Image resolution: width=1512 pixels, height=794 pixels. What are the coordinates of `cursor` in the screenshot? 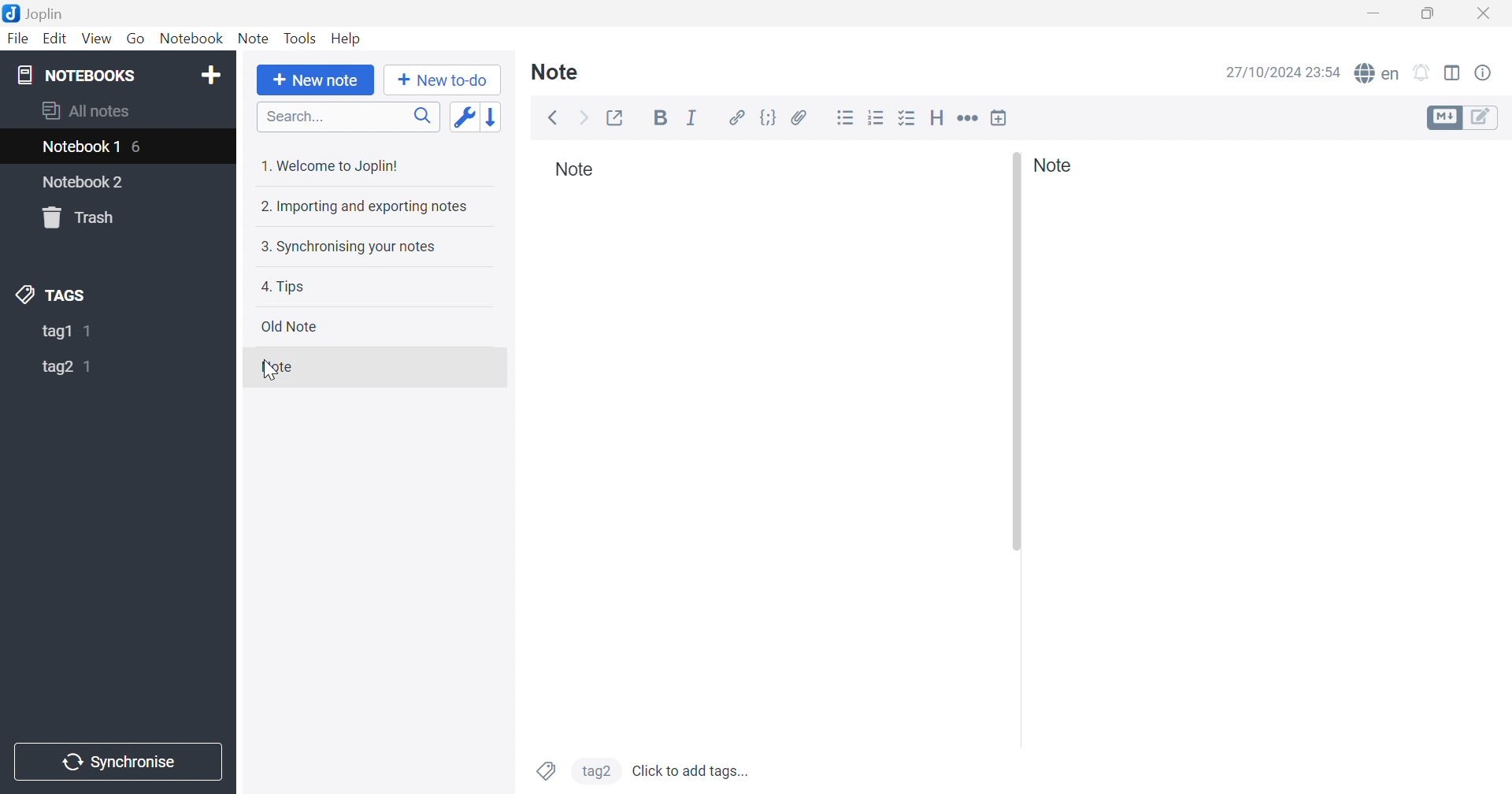 It's located at (266, 372).